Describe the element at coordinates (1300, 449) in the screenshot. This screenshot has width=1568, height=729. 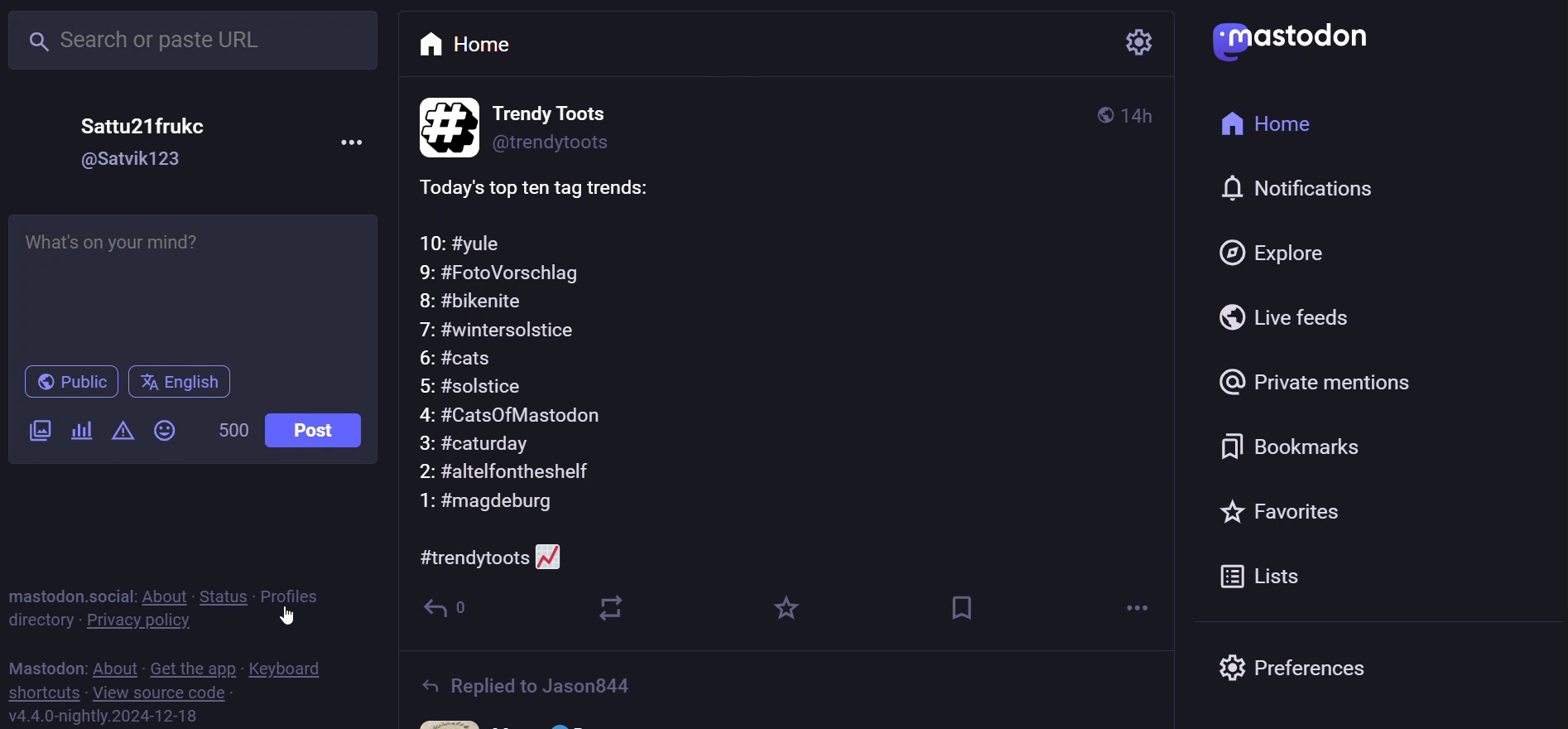
I see `bookmark` at that location.